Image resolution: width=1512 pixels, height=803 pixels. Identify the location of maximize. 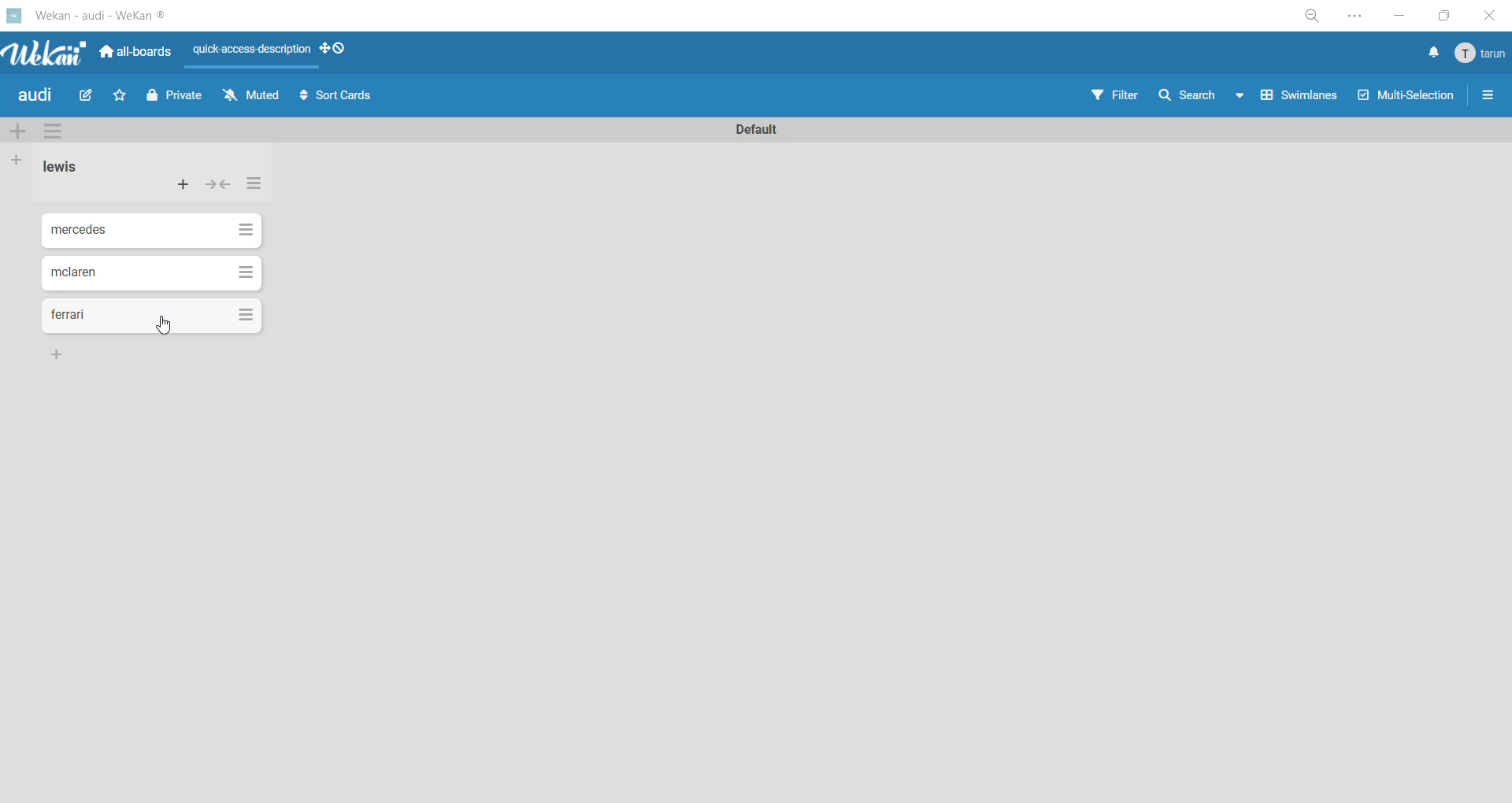
(1440, 18).